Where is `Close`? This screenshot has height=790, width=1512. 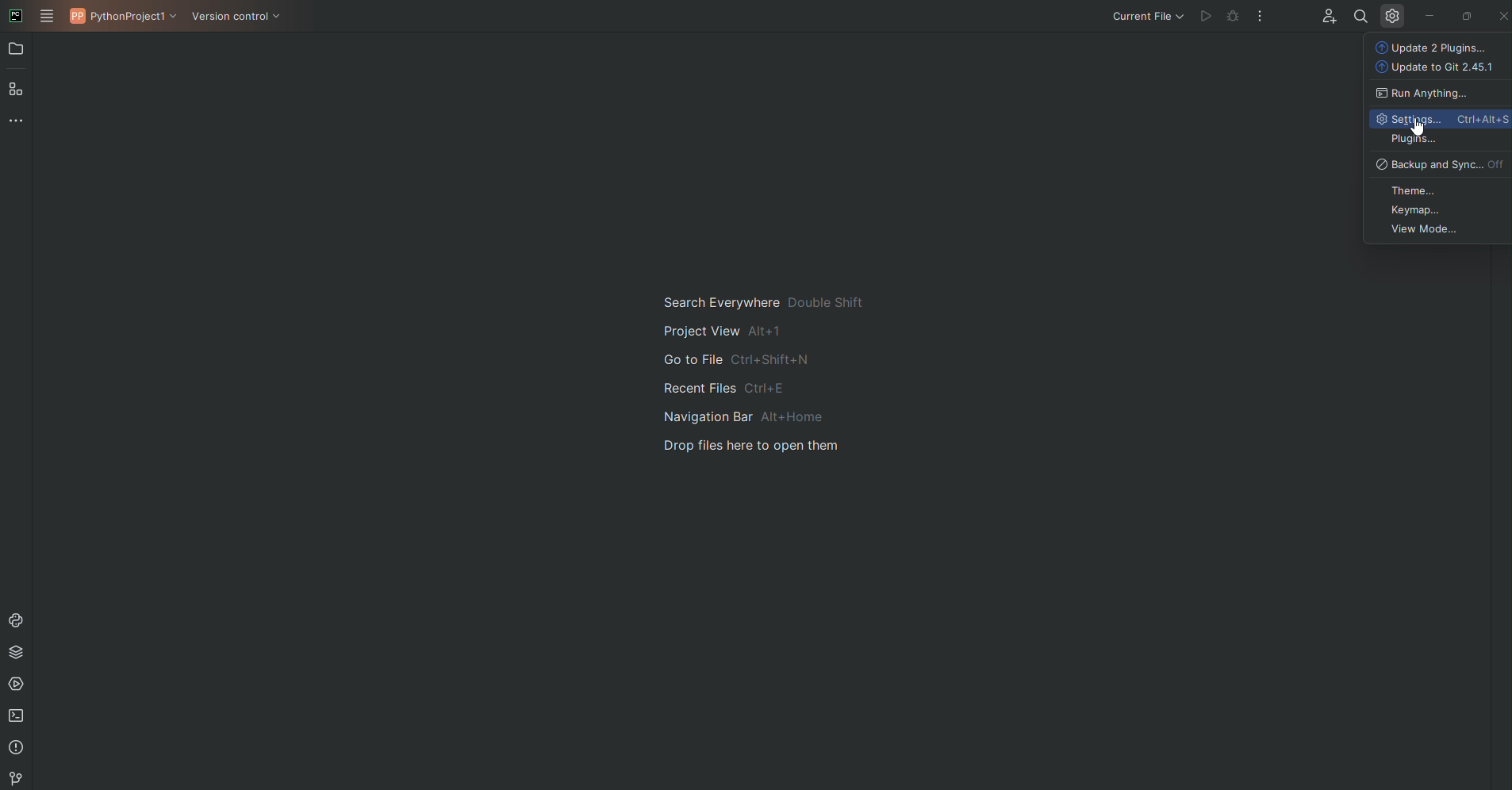 Close is located at coordinates (1501, 15).